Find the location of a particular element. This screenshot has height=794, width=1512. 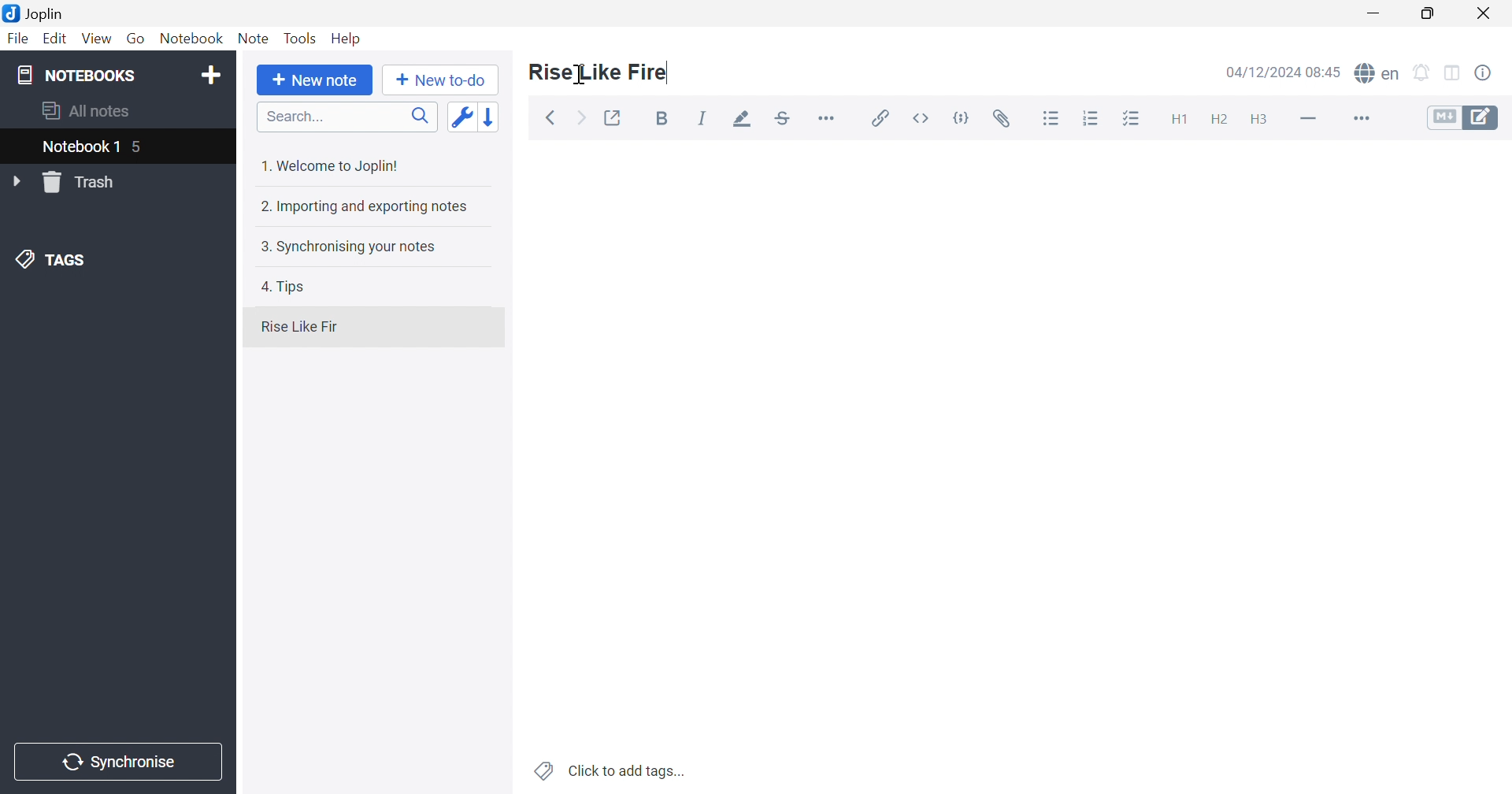

Joplin is located at coordinates (35, 13).